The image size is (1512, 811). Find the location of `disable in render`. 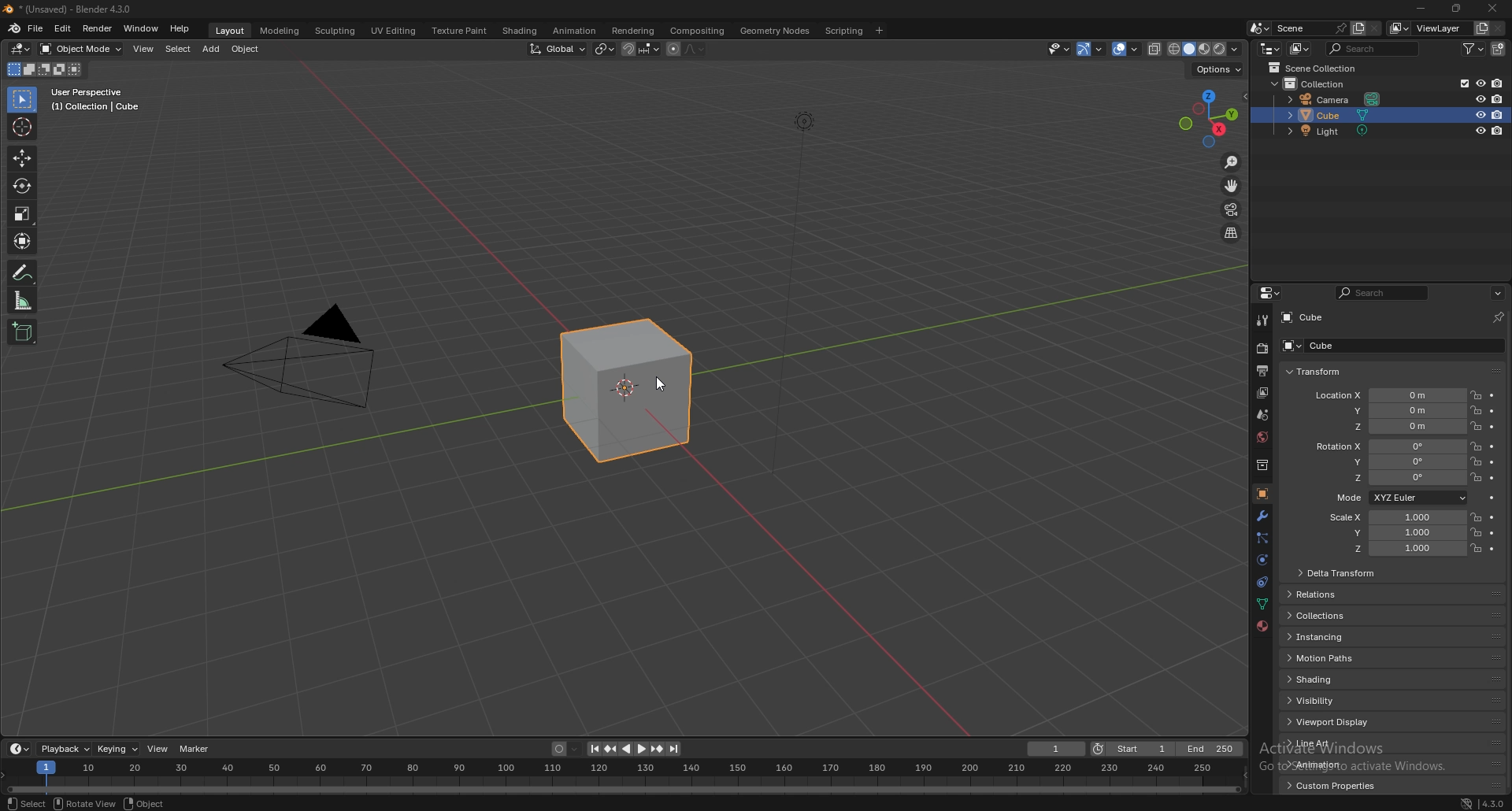

disable in render is located at coordinates (1498, 83).